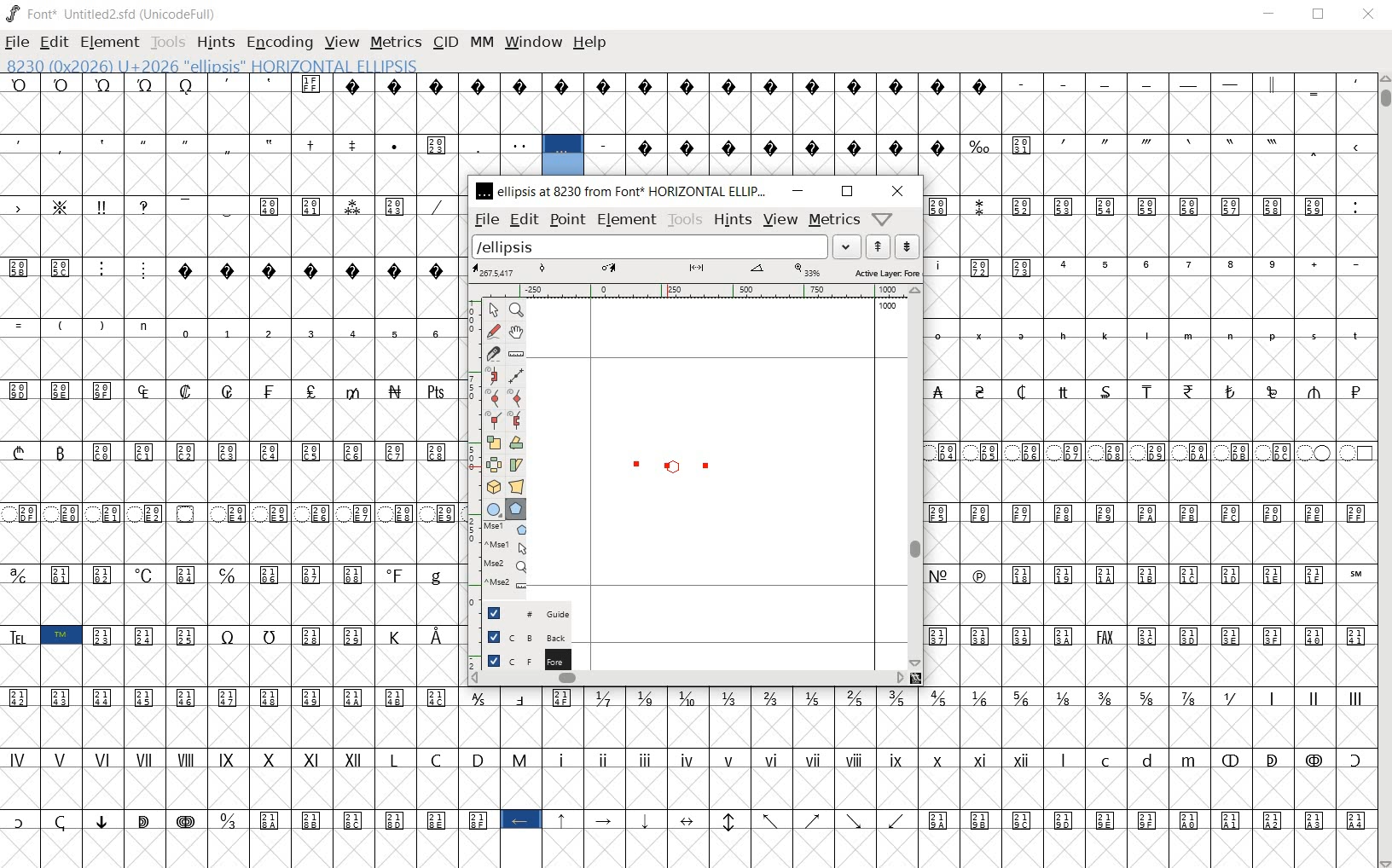  I want to click on point, so click(566, 220).